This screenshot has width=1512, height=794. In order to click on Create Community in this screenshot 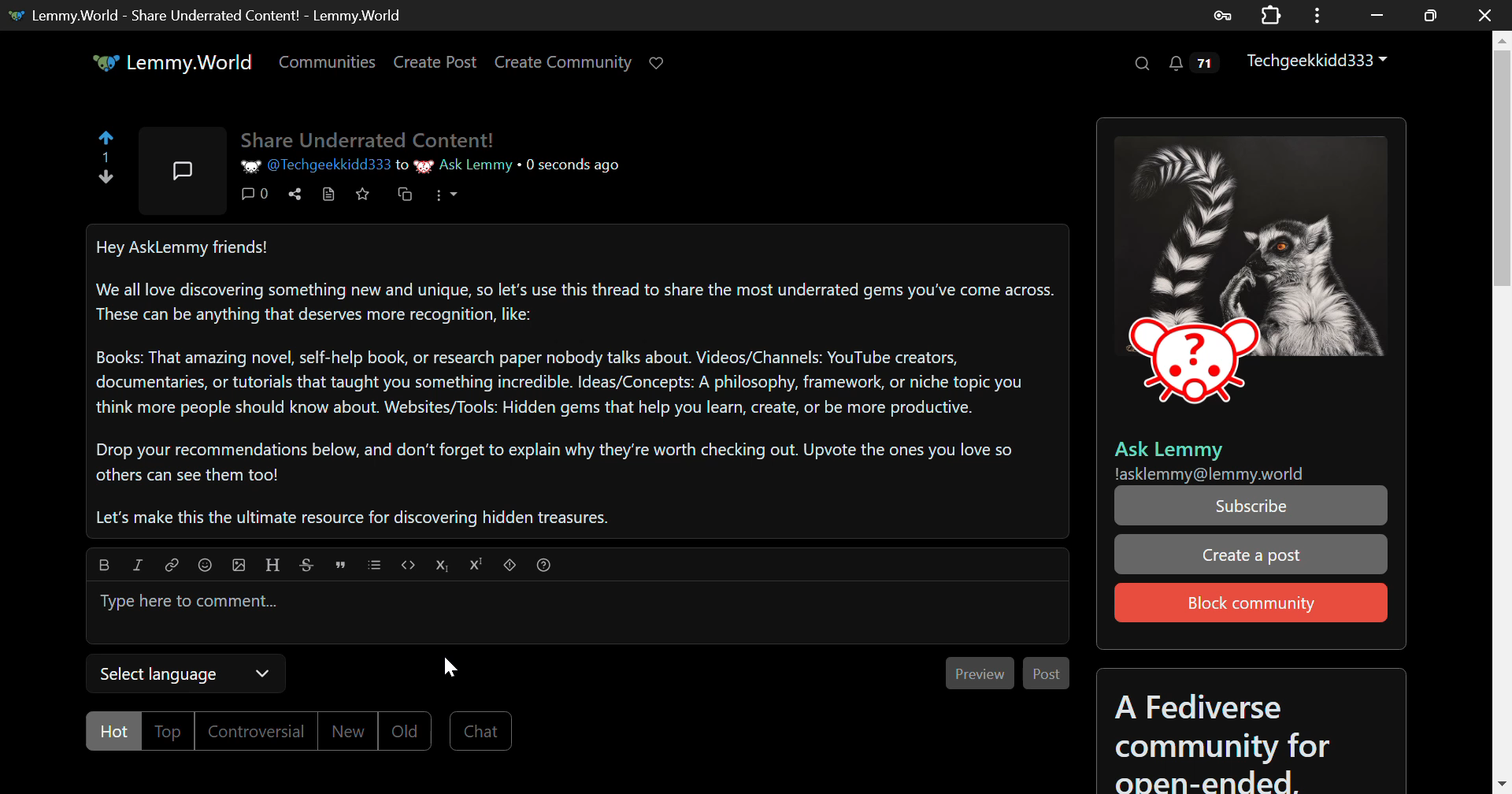, I will do `click(565, 65)`.